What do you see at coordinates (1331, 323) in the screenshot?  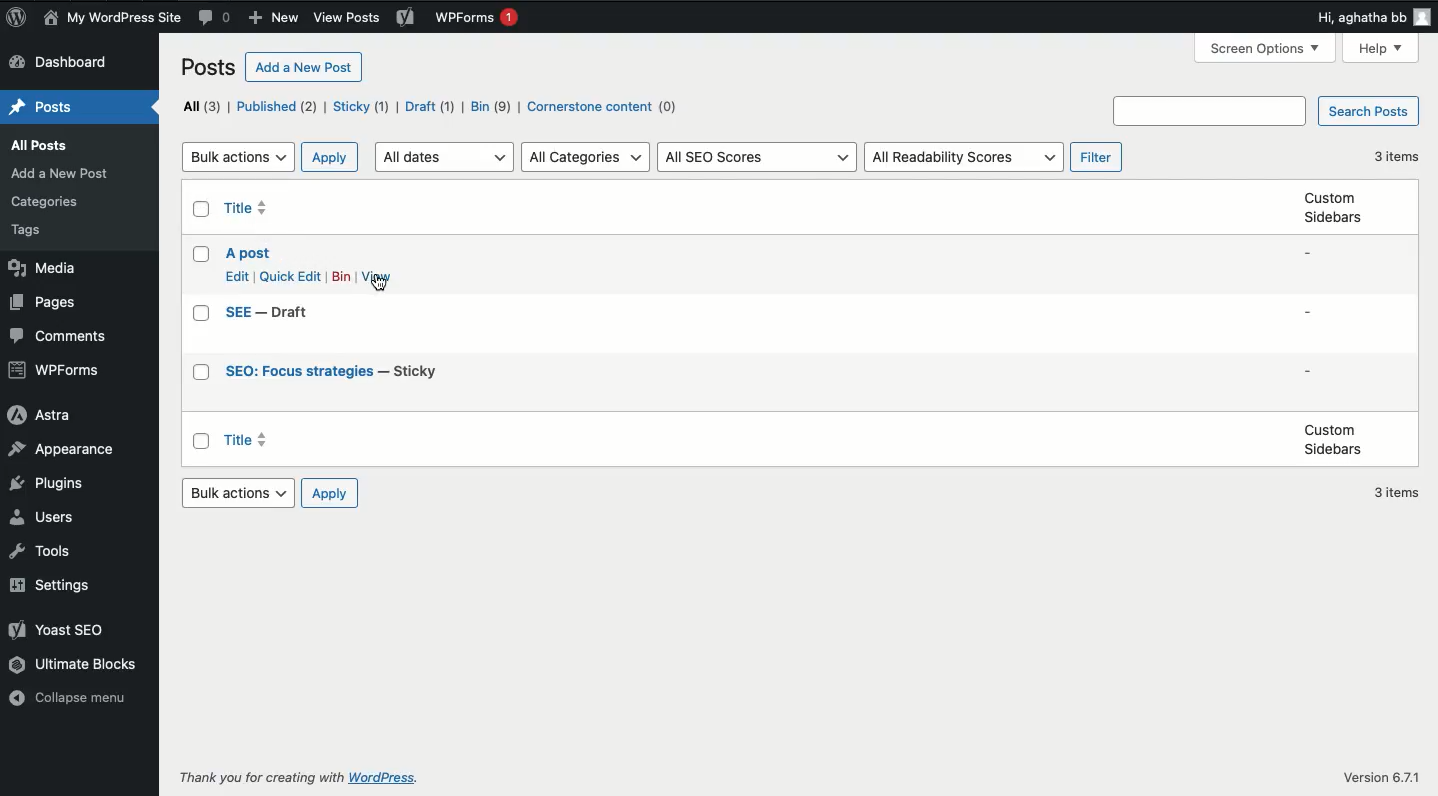 I see `Custom sidebars` at bounding box center [1331, 323].